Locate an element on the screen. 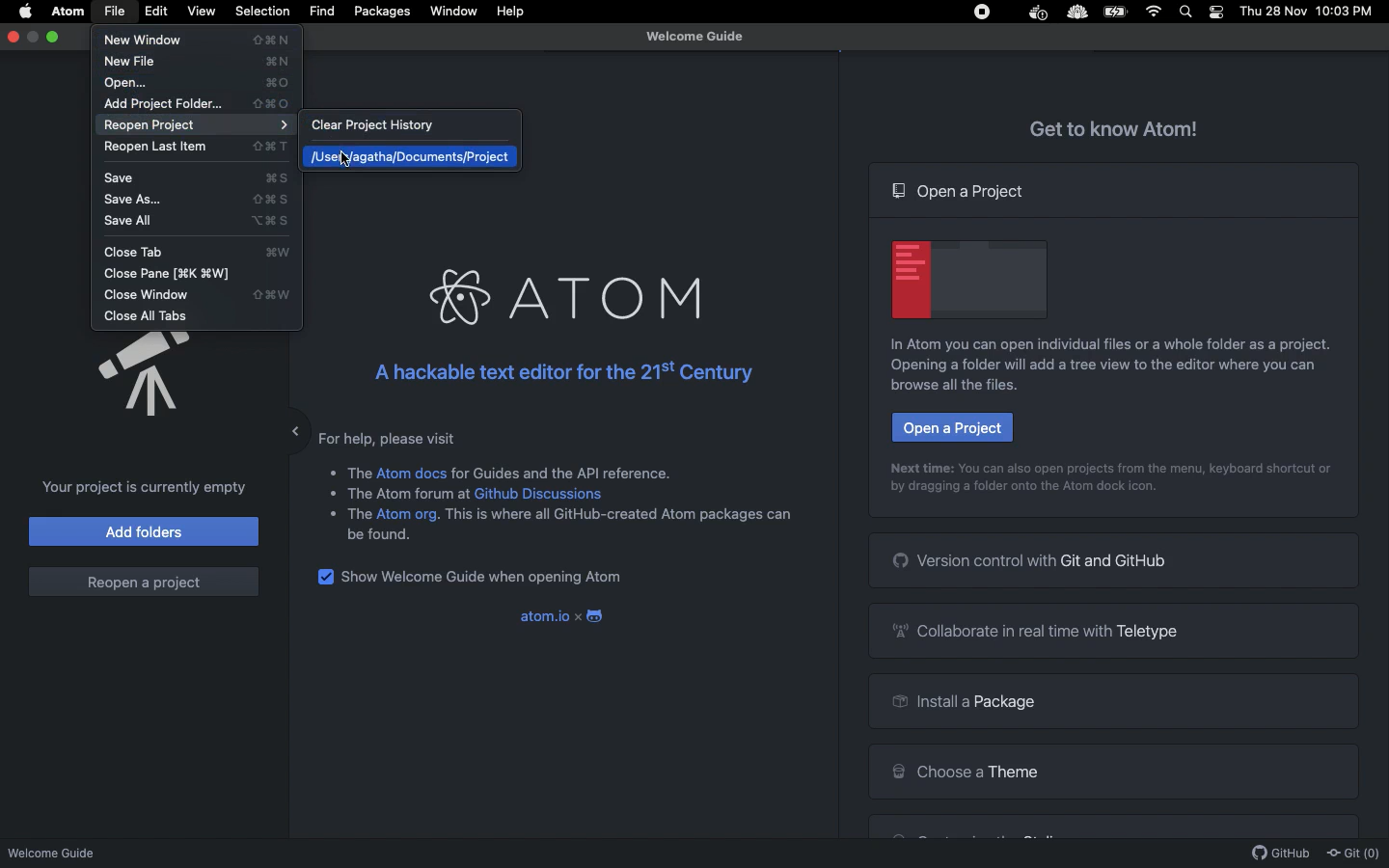  Reopen a project is located at coordinates (143, 582).